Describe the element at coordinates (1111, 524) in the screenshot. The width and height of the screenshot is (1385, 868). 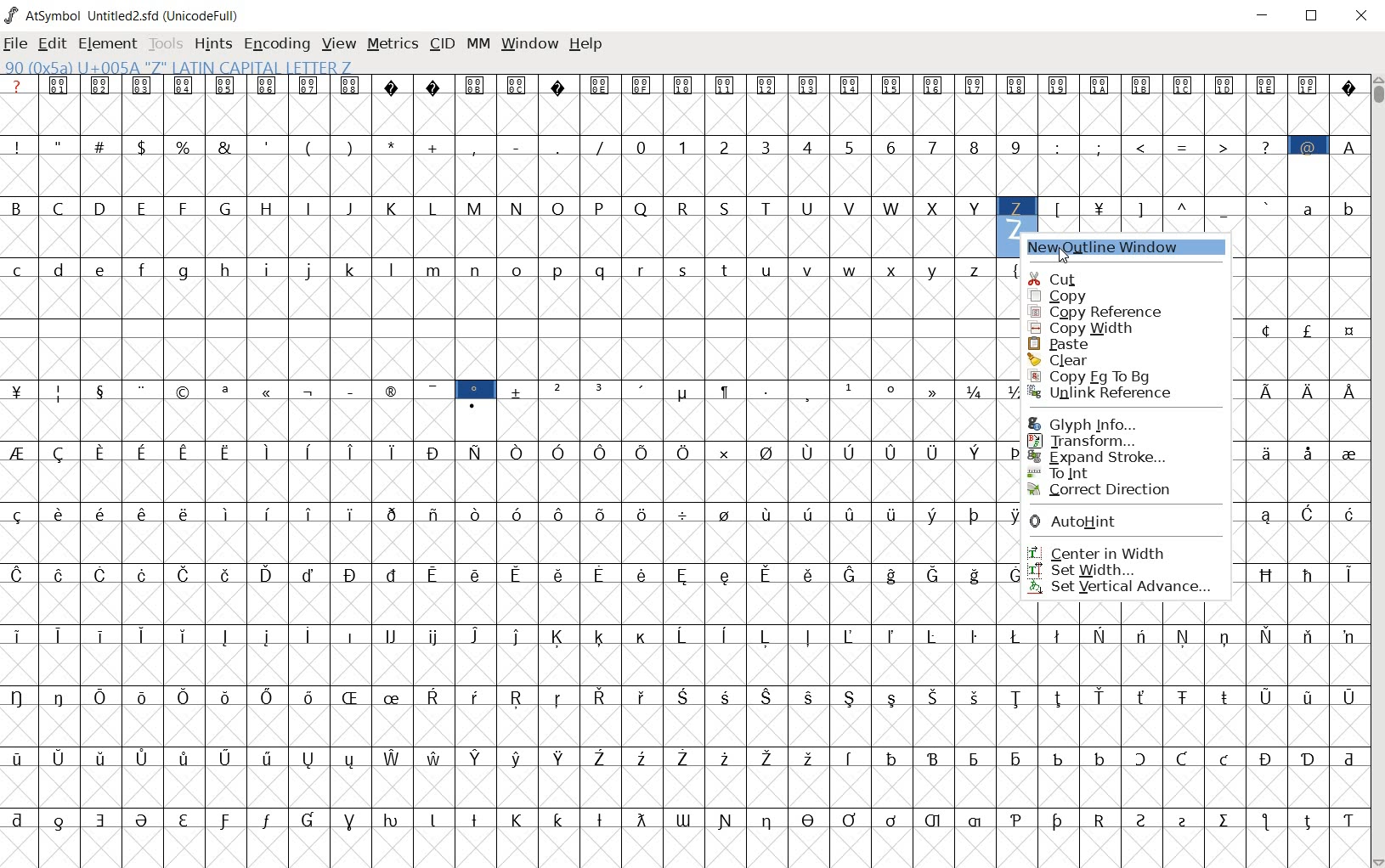
I see `AutoHint` at that location.